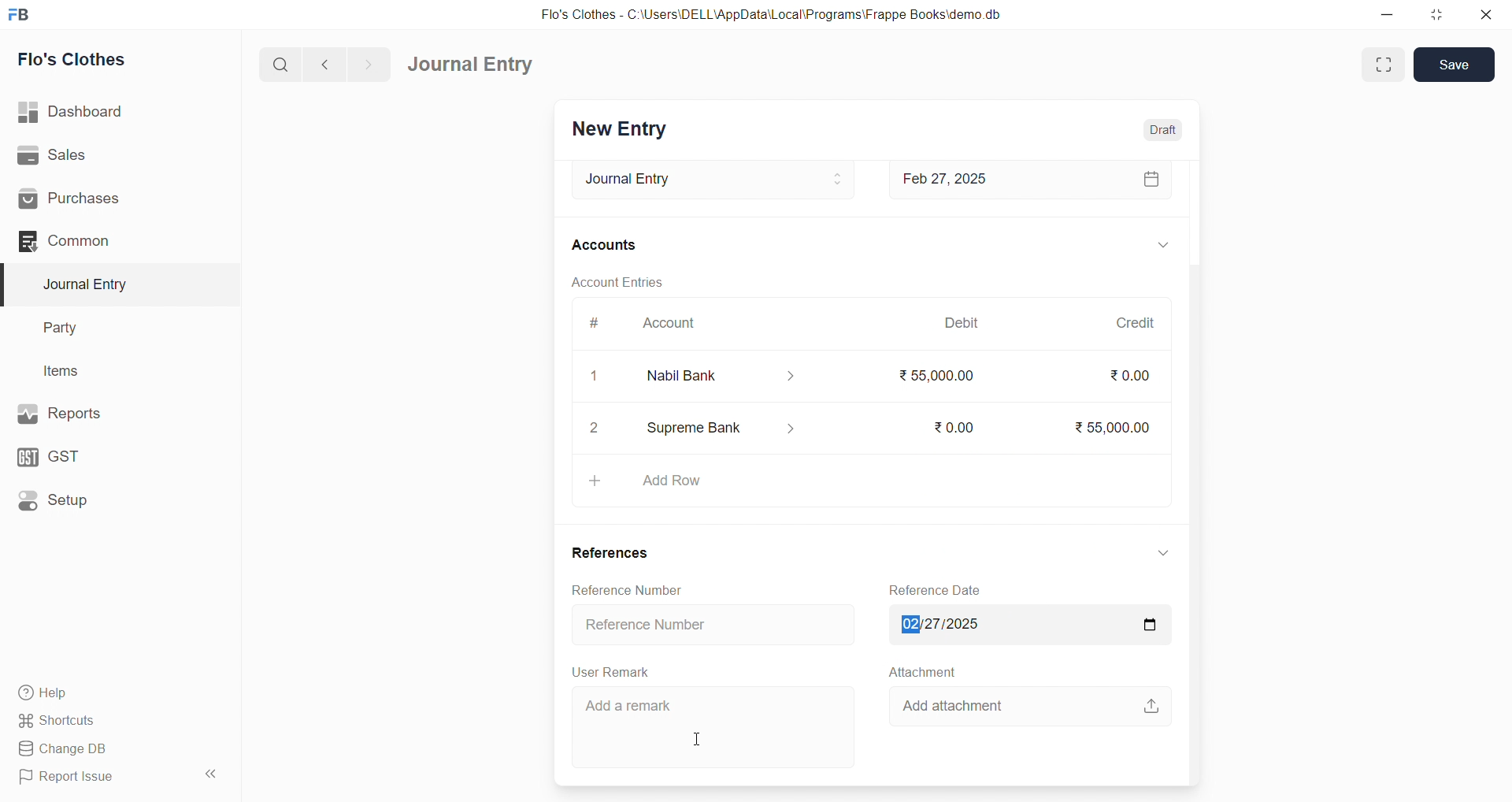  Describe the element at coordinates (24, 13) in the screenshot. I see `logo` at that location.